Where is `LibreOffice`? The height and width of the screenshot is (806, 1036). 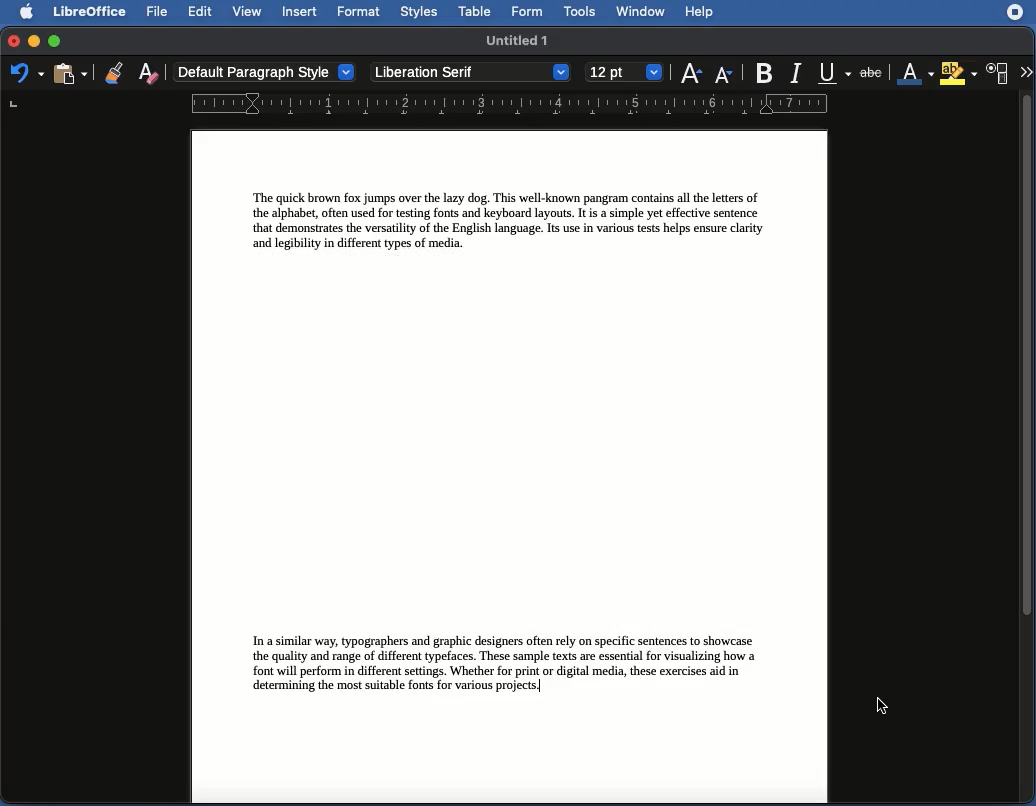
LibreOffice is located at coordinates (87, 13).